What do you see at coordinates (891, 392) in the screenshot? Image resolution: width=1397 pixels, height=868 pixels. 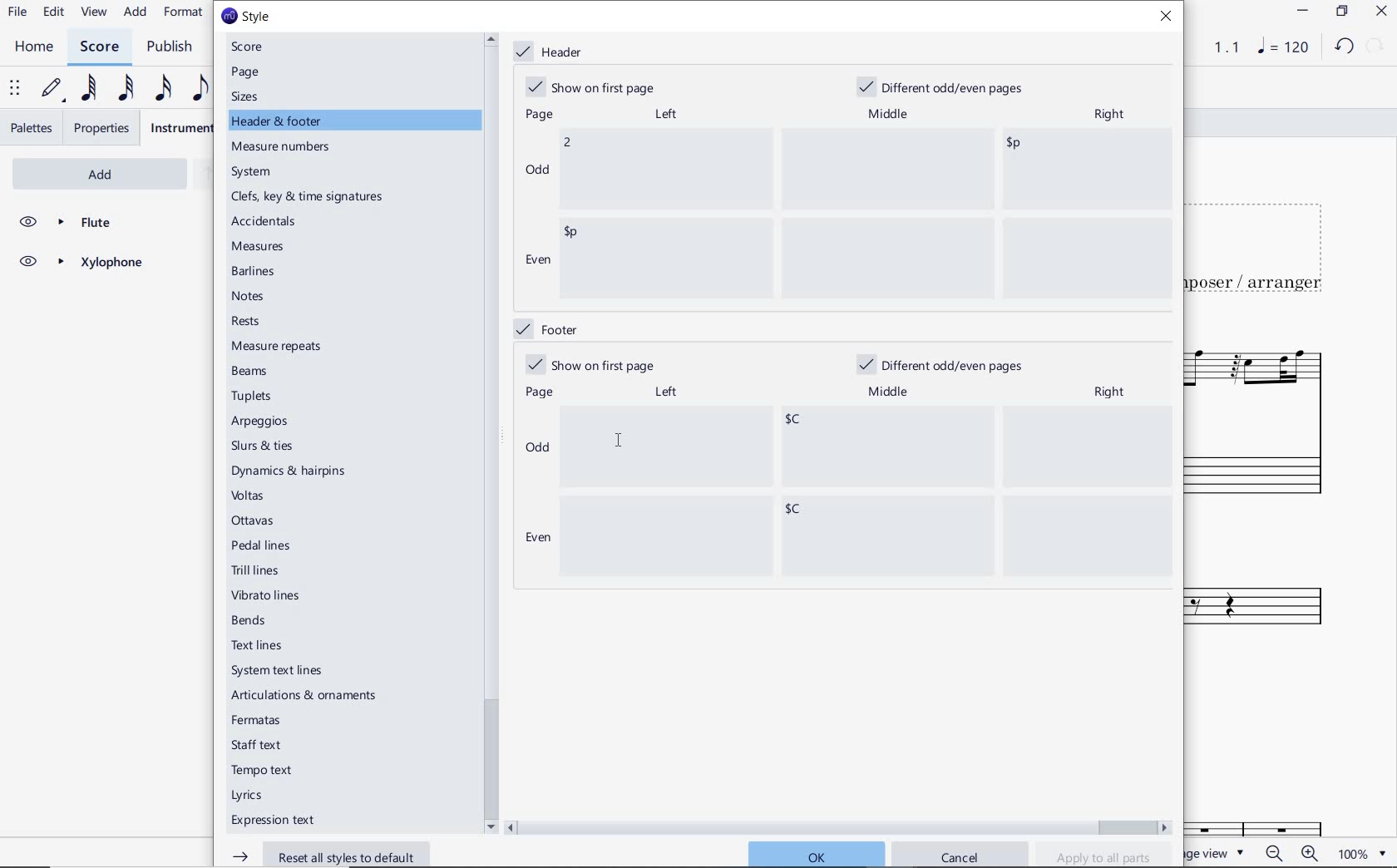 I see `middle` at bounding box center [891, 392].